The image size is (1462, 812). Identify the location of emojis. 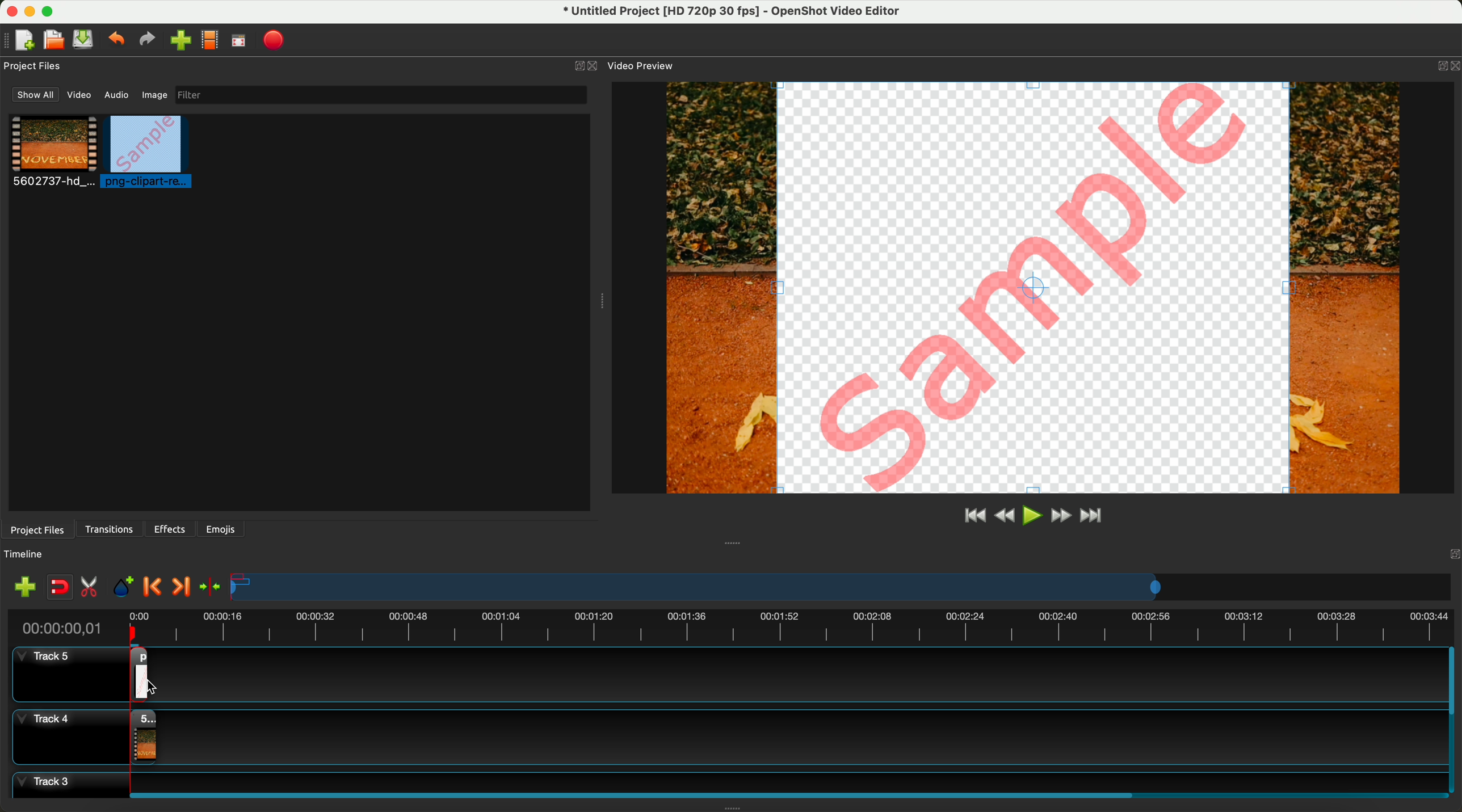
(221, 527).